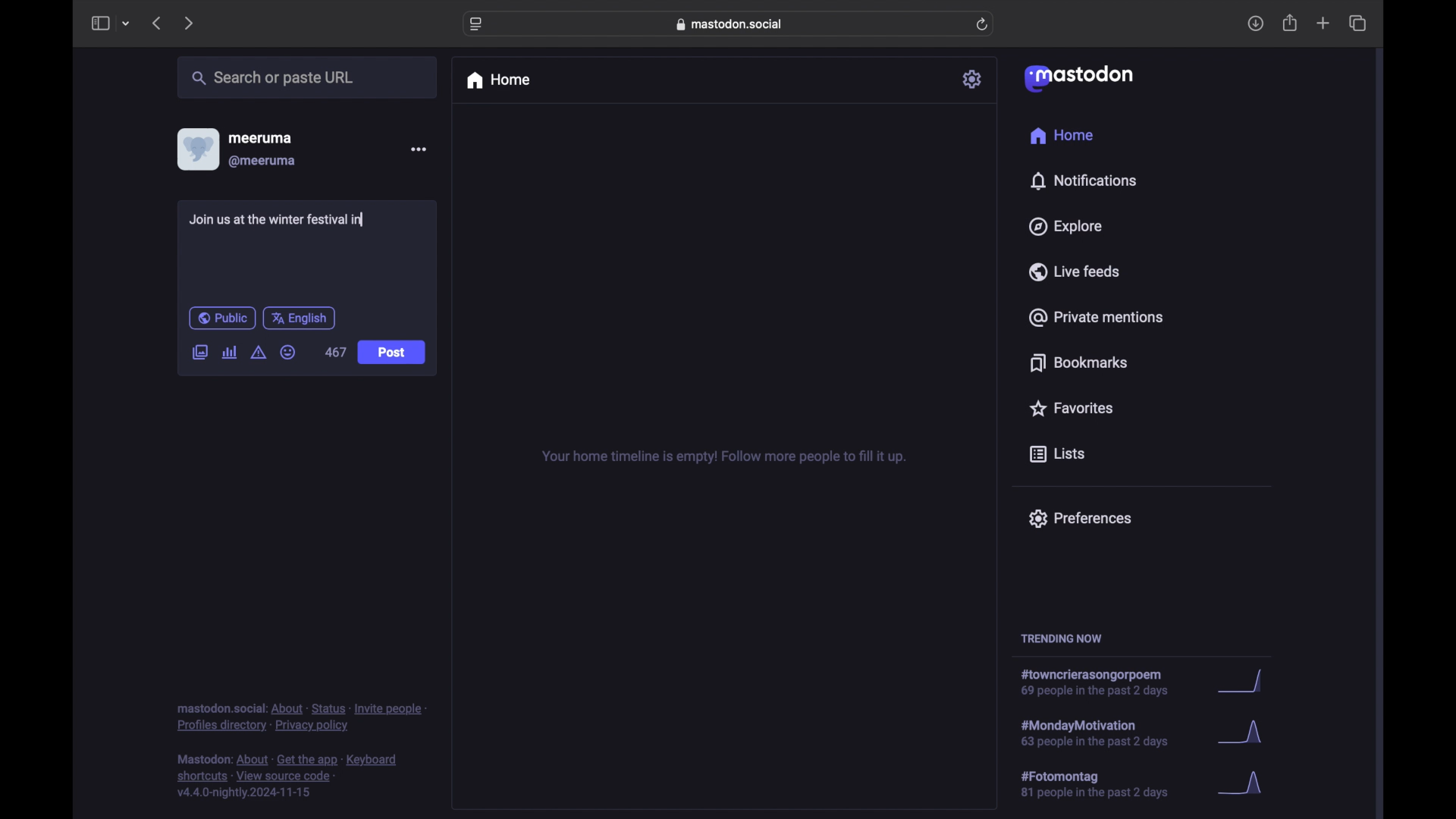  I want to click on graph, so click(1244, 682).